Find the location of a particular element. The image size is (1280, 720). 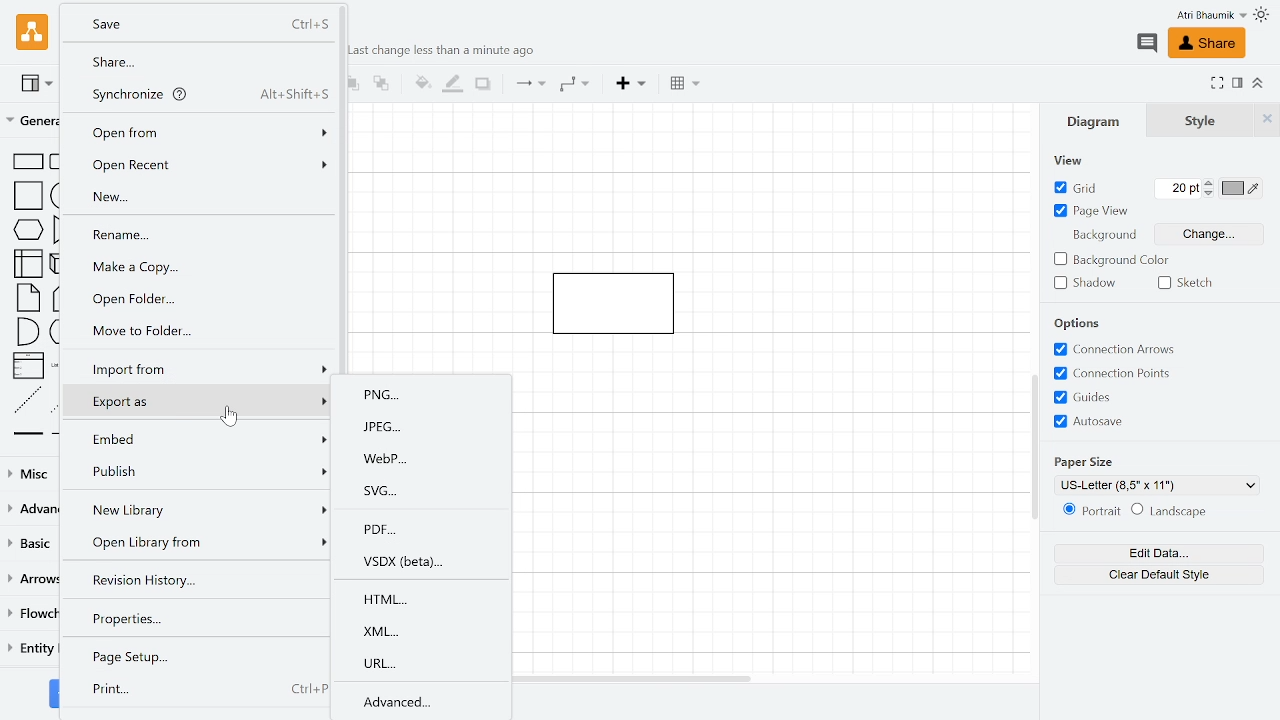

Share is located at coordinates (1210, 44).